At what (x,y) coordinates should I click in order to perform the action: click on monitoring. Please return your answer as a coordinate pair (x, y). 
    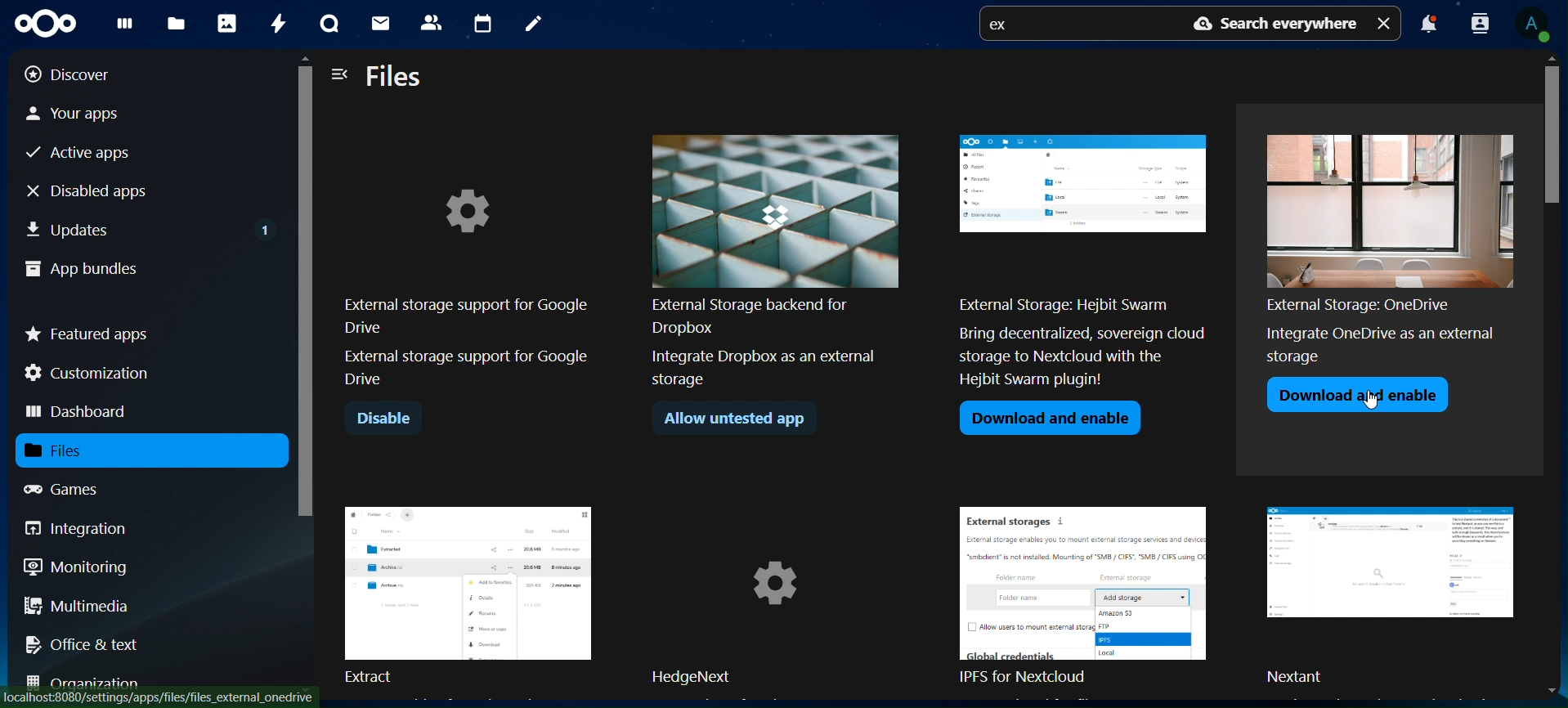
    Looking at the image, I should click on (77, 566).